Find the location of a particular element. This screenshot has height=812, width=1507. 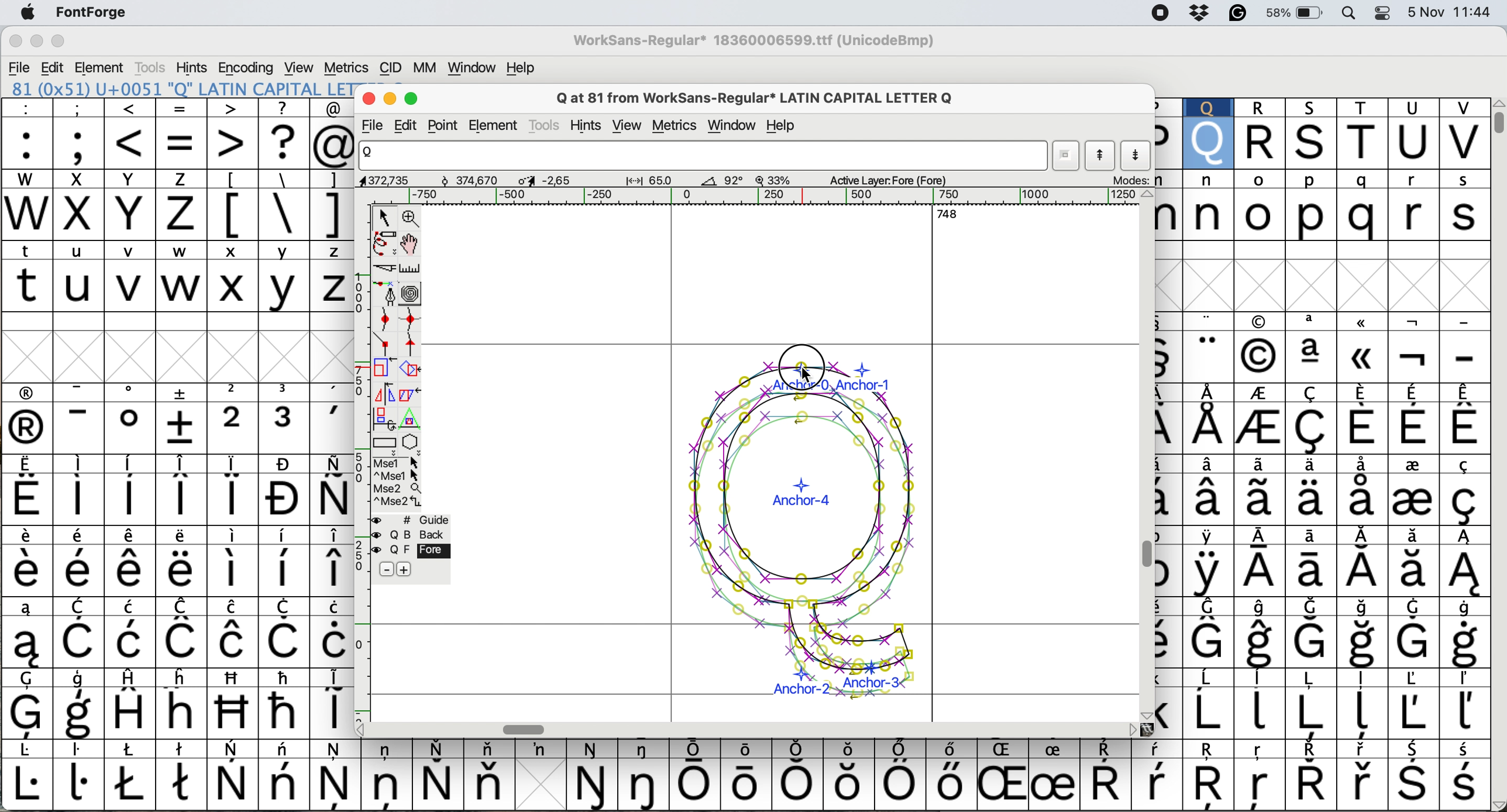

show previous letter is located at coordinates (1103, 158).